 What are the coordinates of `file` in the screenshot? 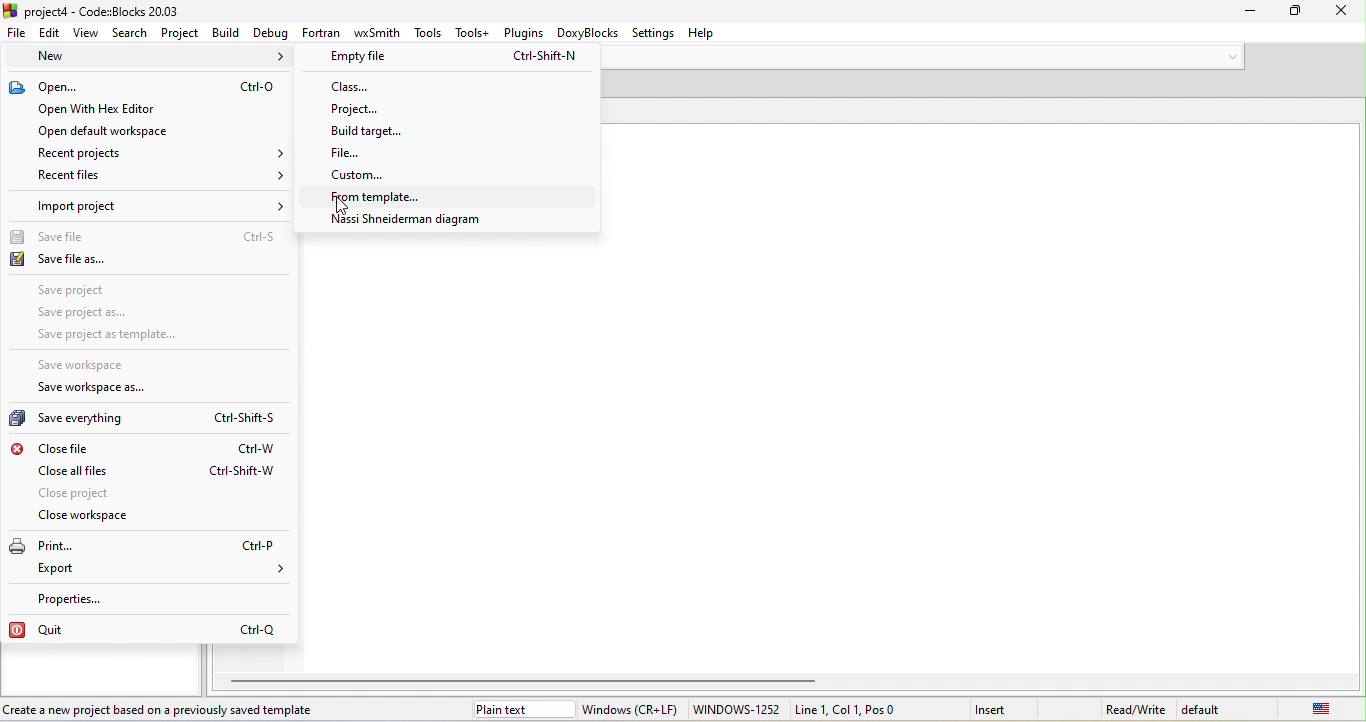 It's located at (16, 35).